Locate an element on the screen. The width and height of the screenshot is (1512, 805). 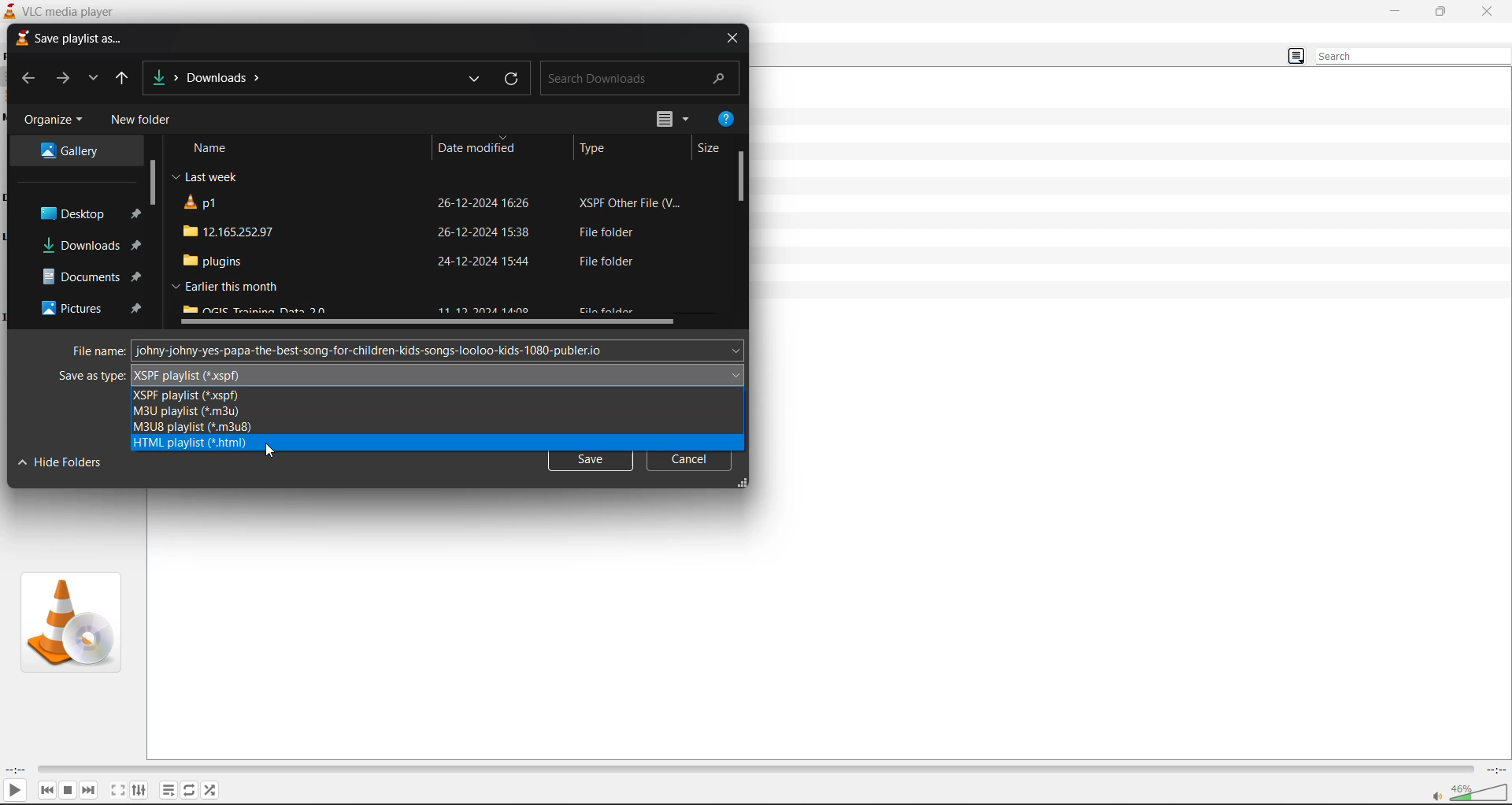
new folder is located at coordinates (139, 121).